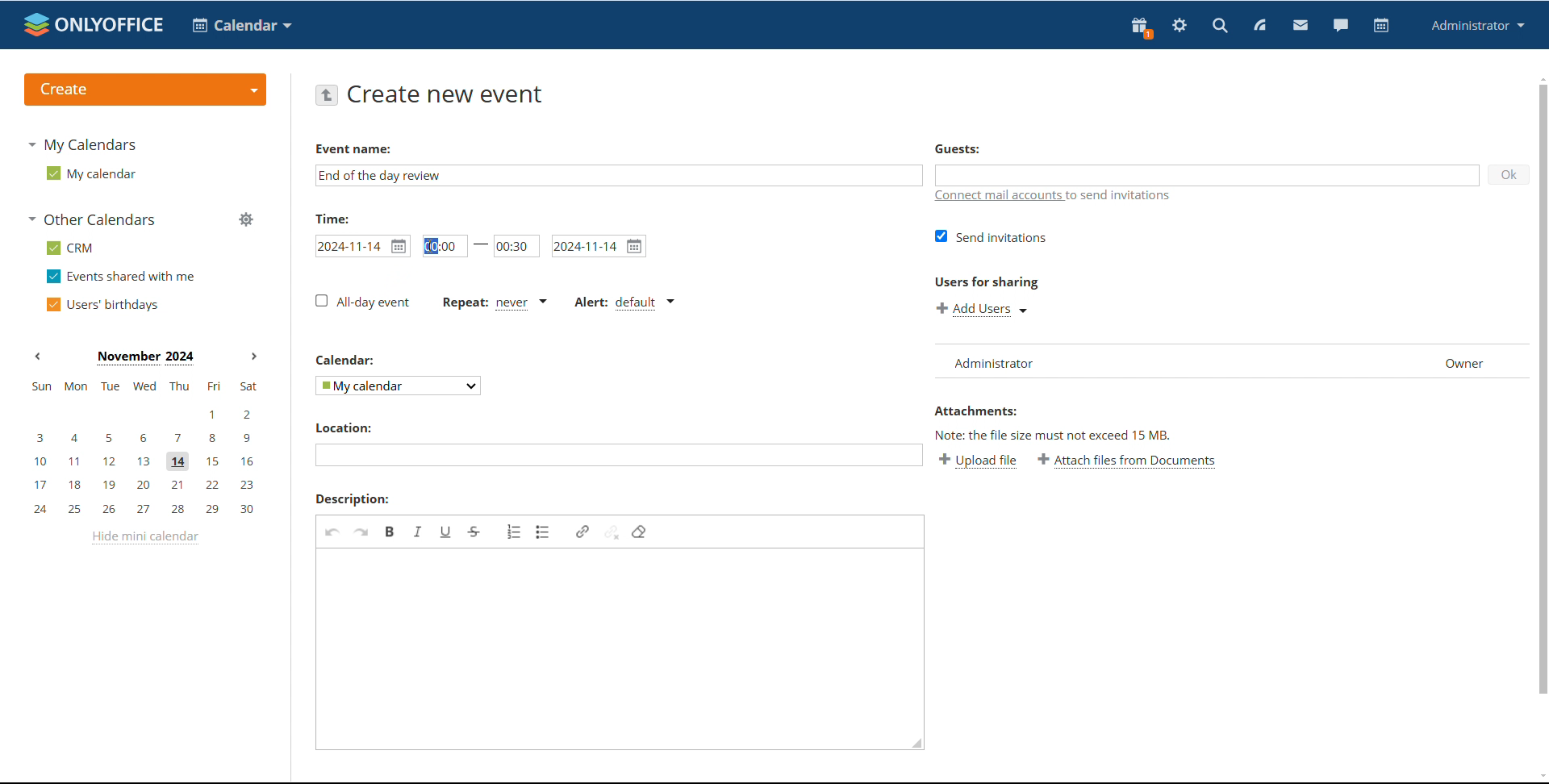  Describe the element at coordinates (957, 148) in the screenshot. I see `guests` at that location.